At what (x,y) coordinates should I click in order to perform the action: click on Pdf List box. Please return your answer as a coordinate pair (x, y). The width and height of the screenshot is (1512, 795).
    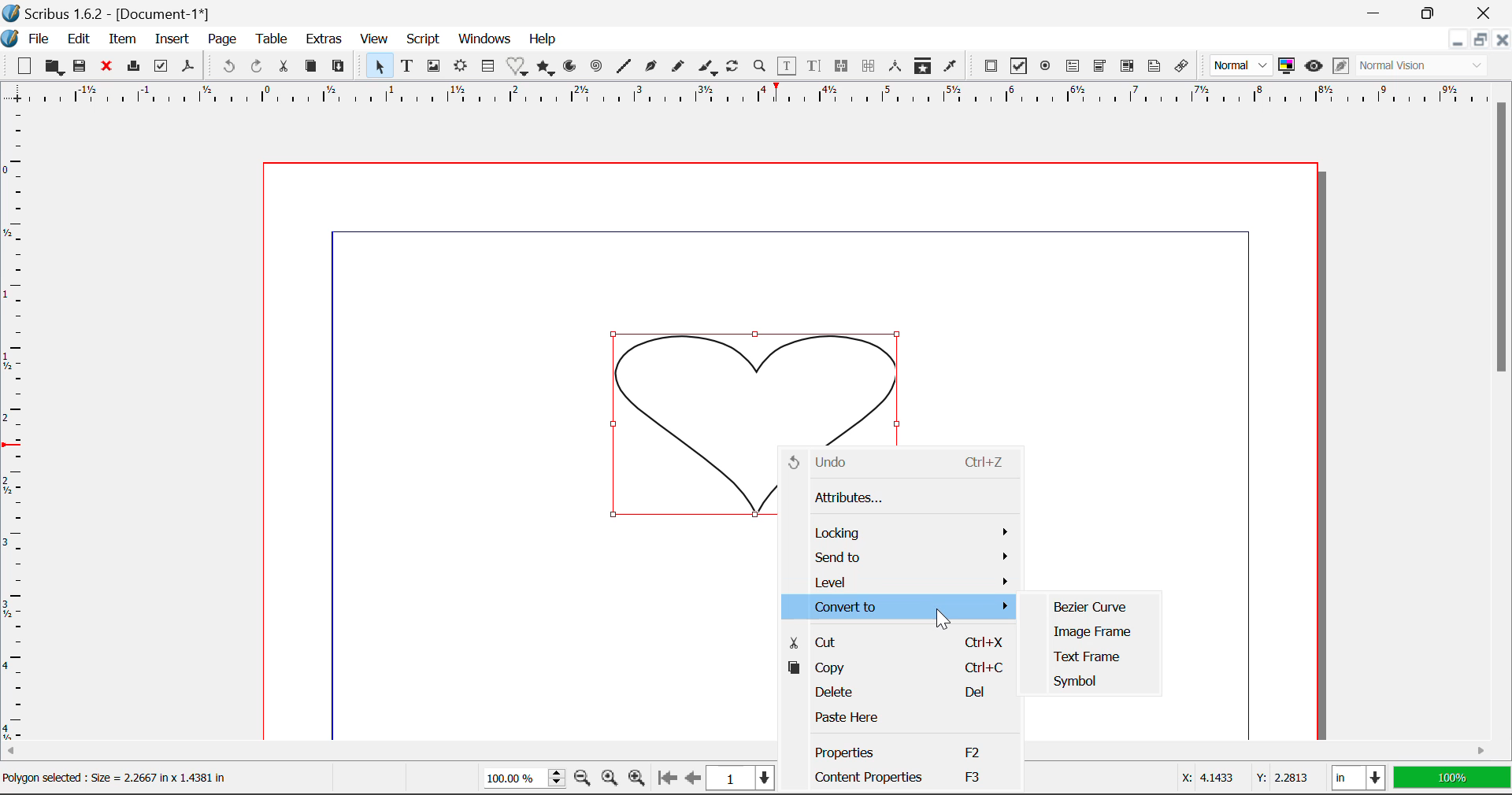
    Looking at the image, I should click on (1128, 68).